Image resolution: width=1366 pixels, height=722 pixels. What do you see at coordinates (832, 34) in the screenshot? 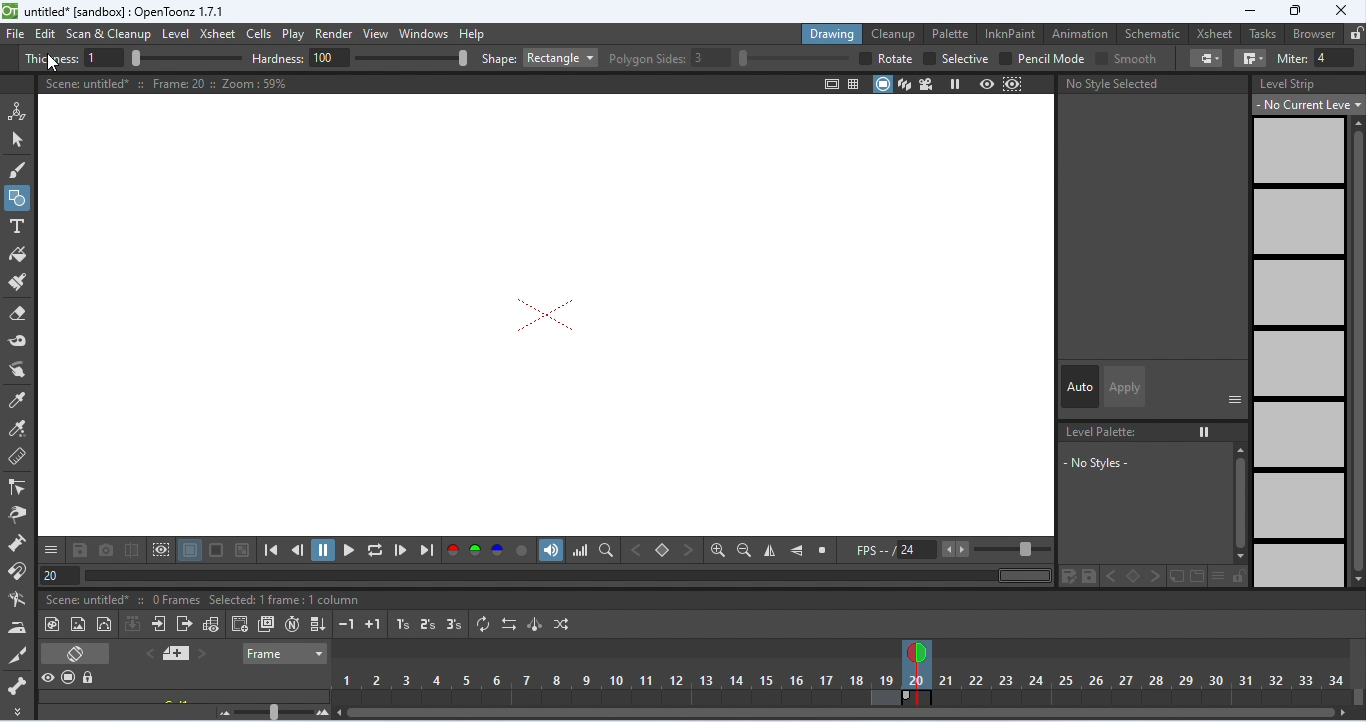
I see `drawing` at bounding box center [832, 34].